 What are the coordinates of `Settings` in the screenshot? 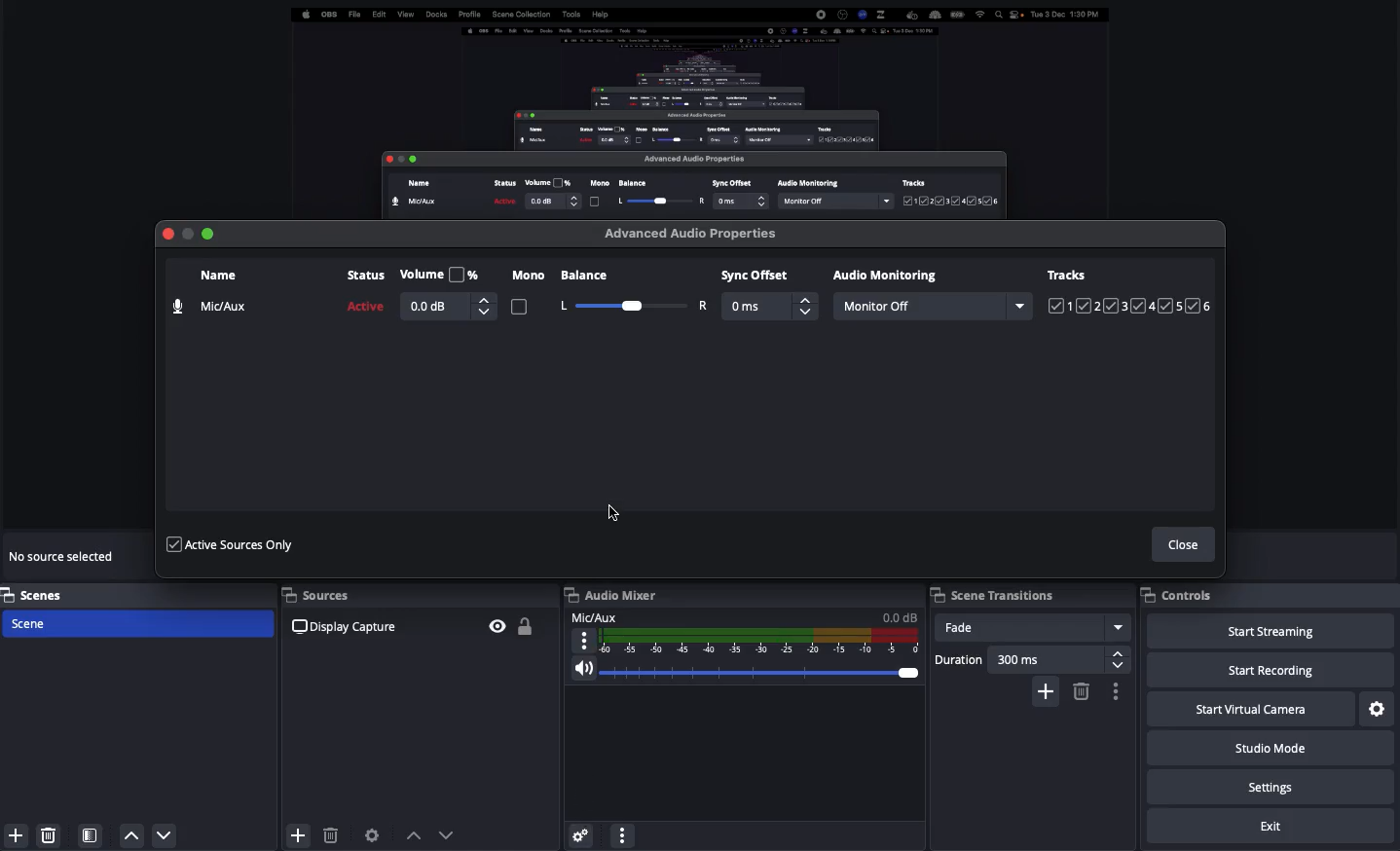 It's located at (1269, 786).